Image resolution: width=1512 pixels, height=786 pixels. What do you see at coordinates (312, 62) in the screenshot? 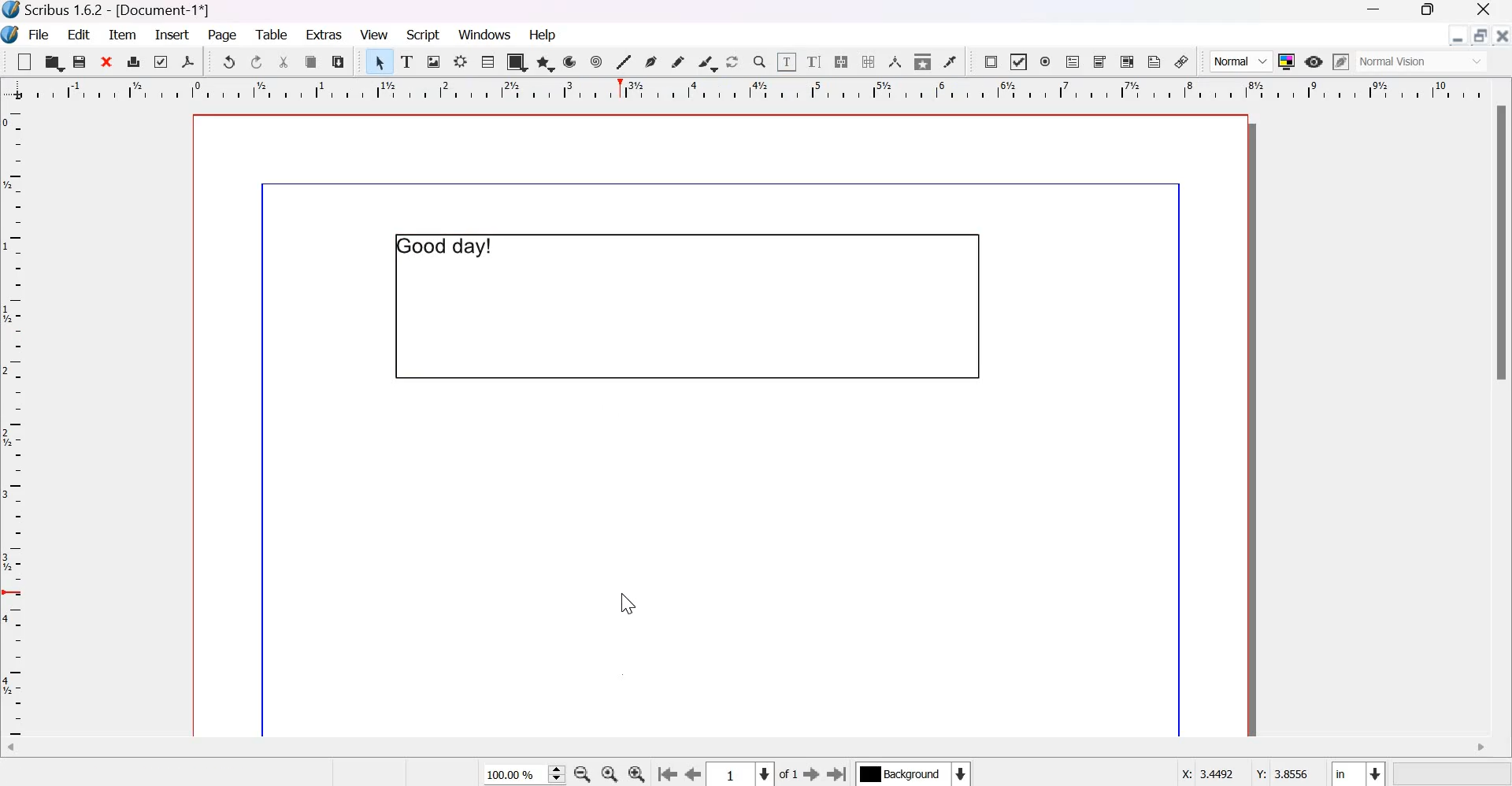
I see `copy` at bounding box center [312, 62].